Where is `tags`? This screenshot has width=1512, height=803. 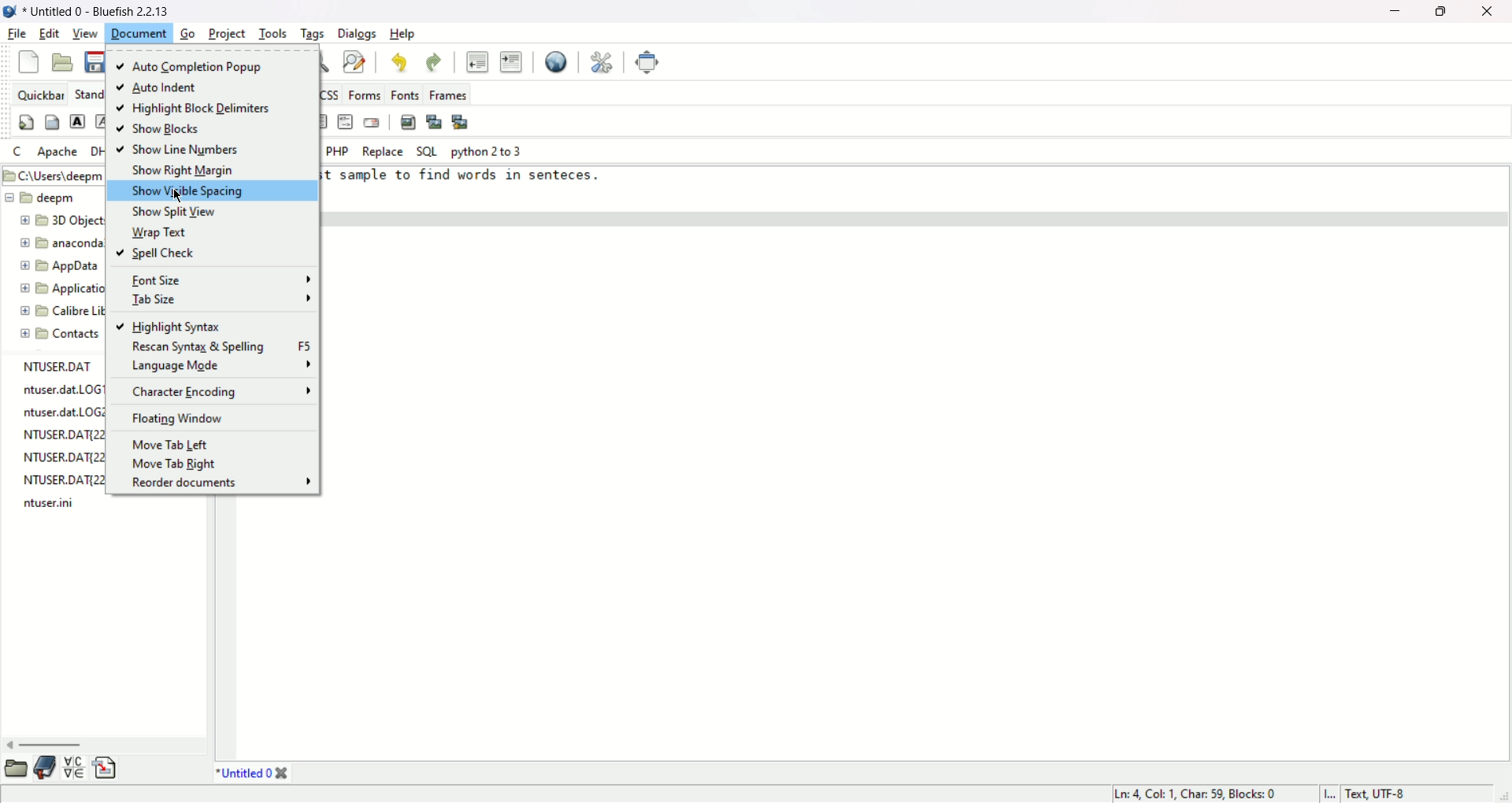 tags is located at coordinates (312, 33).